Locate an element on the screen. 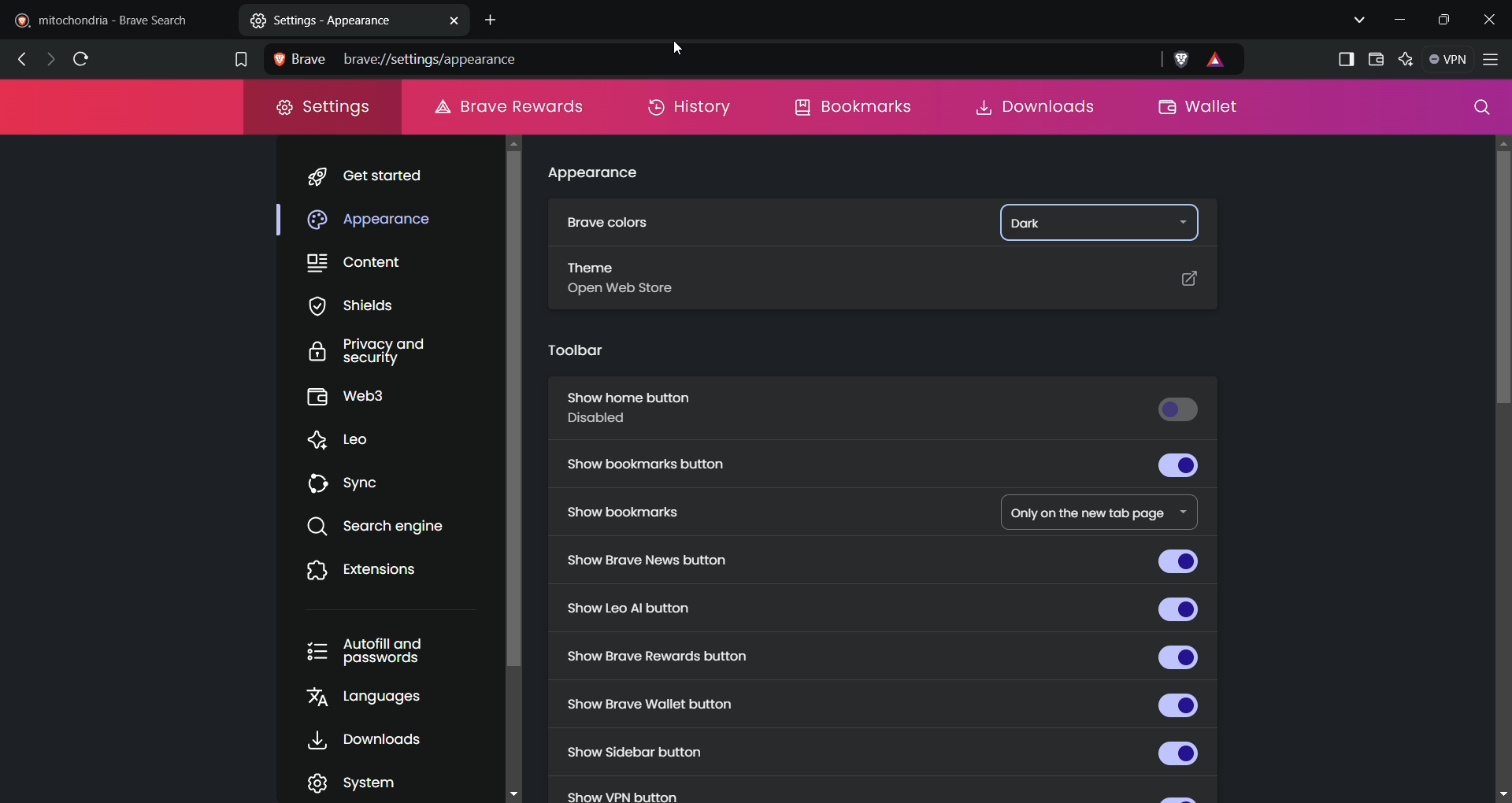 The image size is (1512, 803). maximize is located at coordinates (1447, 20).